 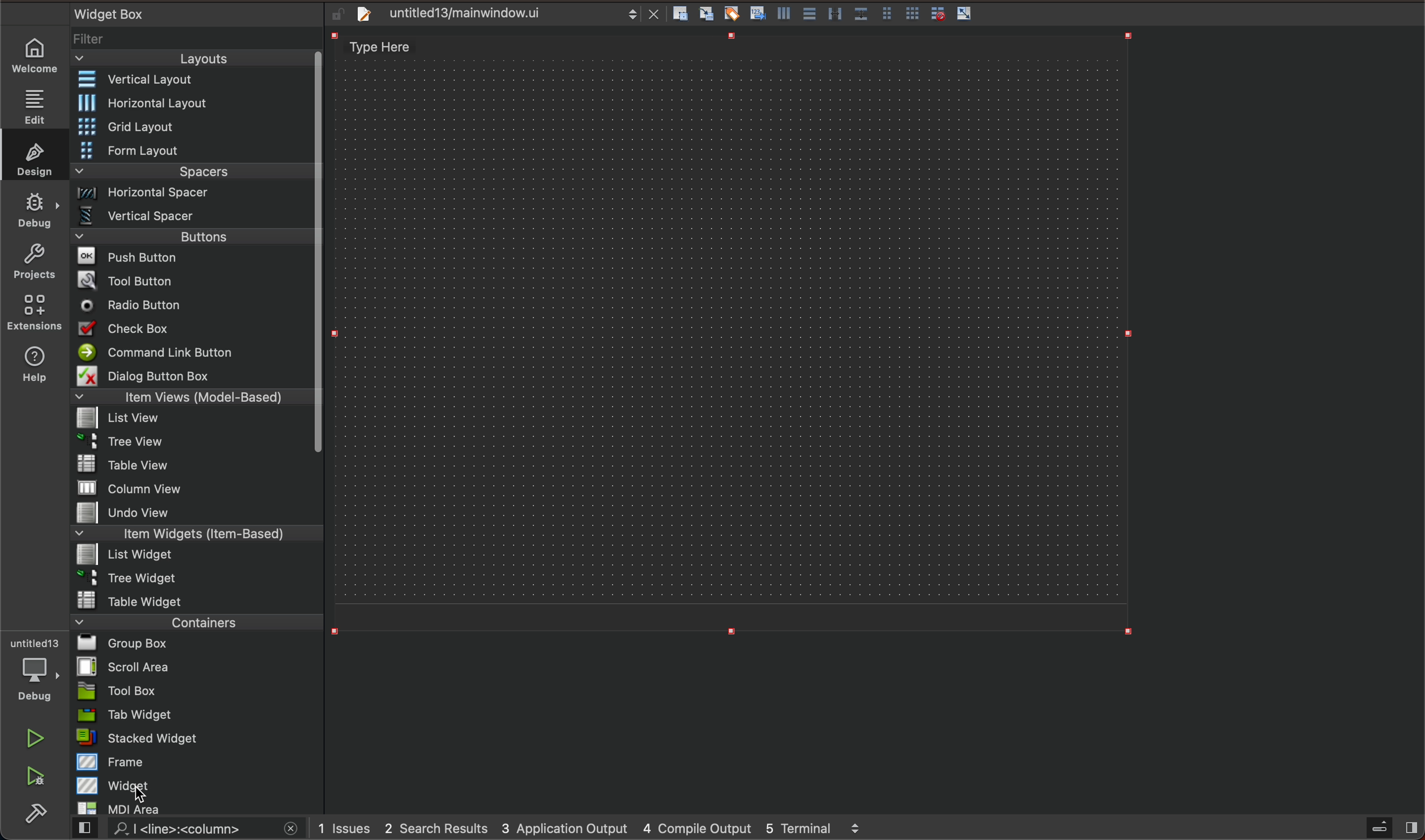 What do you see at coordinates (190, 808) in the screenshot?
I see `MDI Area` at bounding box center [190, 808].